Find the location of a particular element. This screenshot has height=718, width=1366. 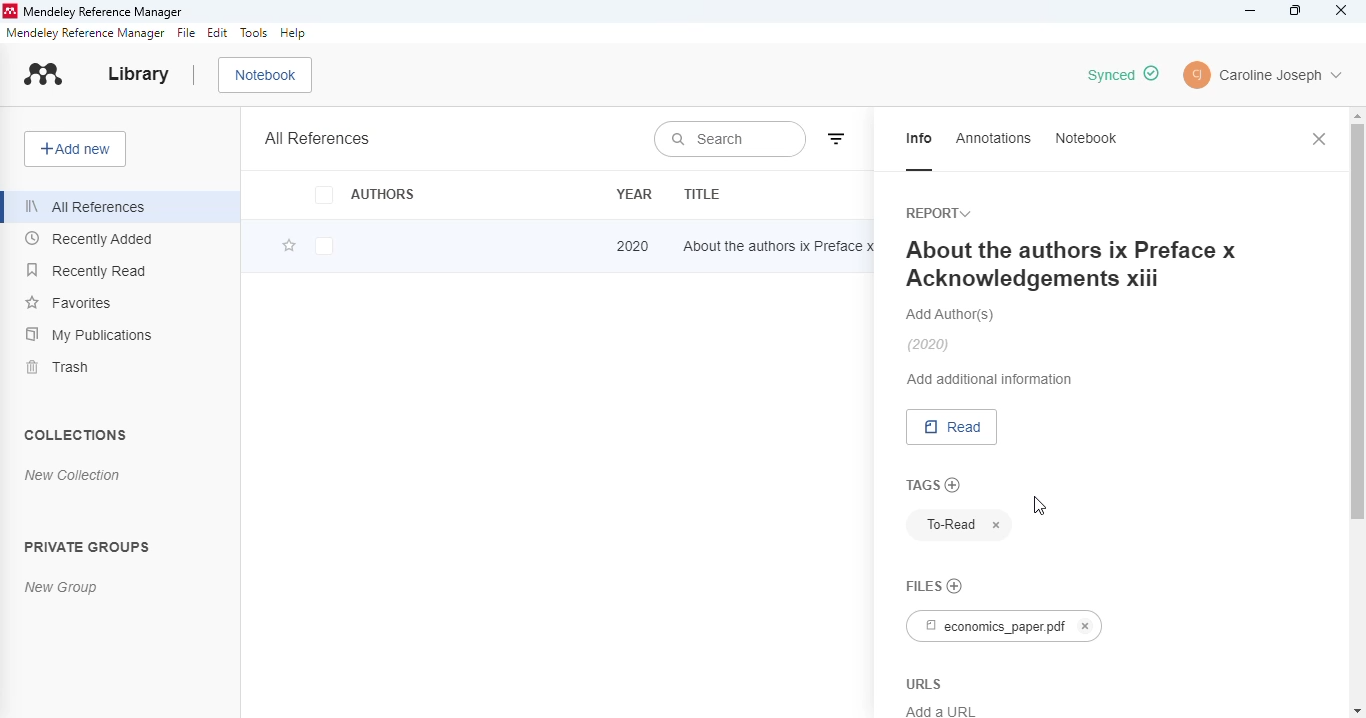

no file chosen is located at coordinates (954, 583).